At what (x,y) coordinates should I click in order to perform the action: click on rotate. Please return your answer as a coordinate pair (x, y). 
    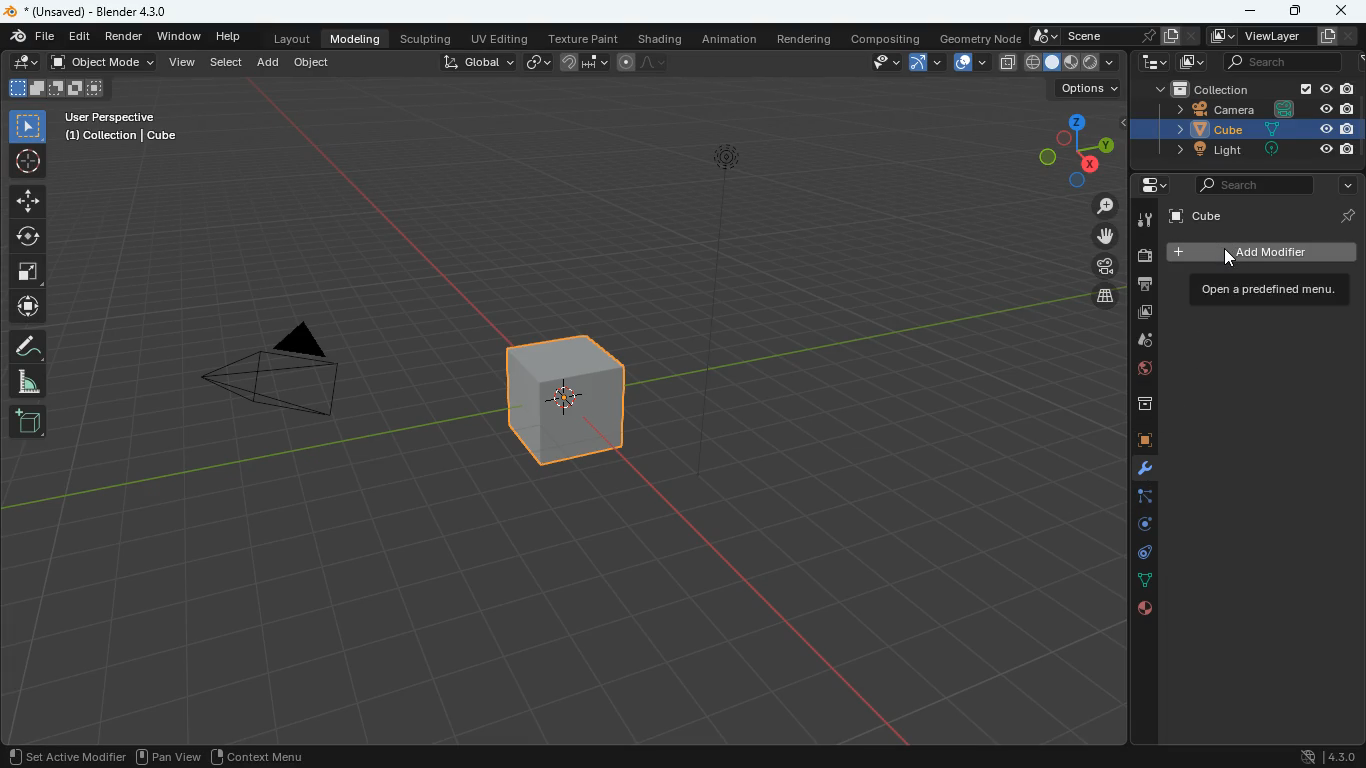
    Looking at the image, I should click on (1141, 528).